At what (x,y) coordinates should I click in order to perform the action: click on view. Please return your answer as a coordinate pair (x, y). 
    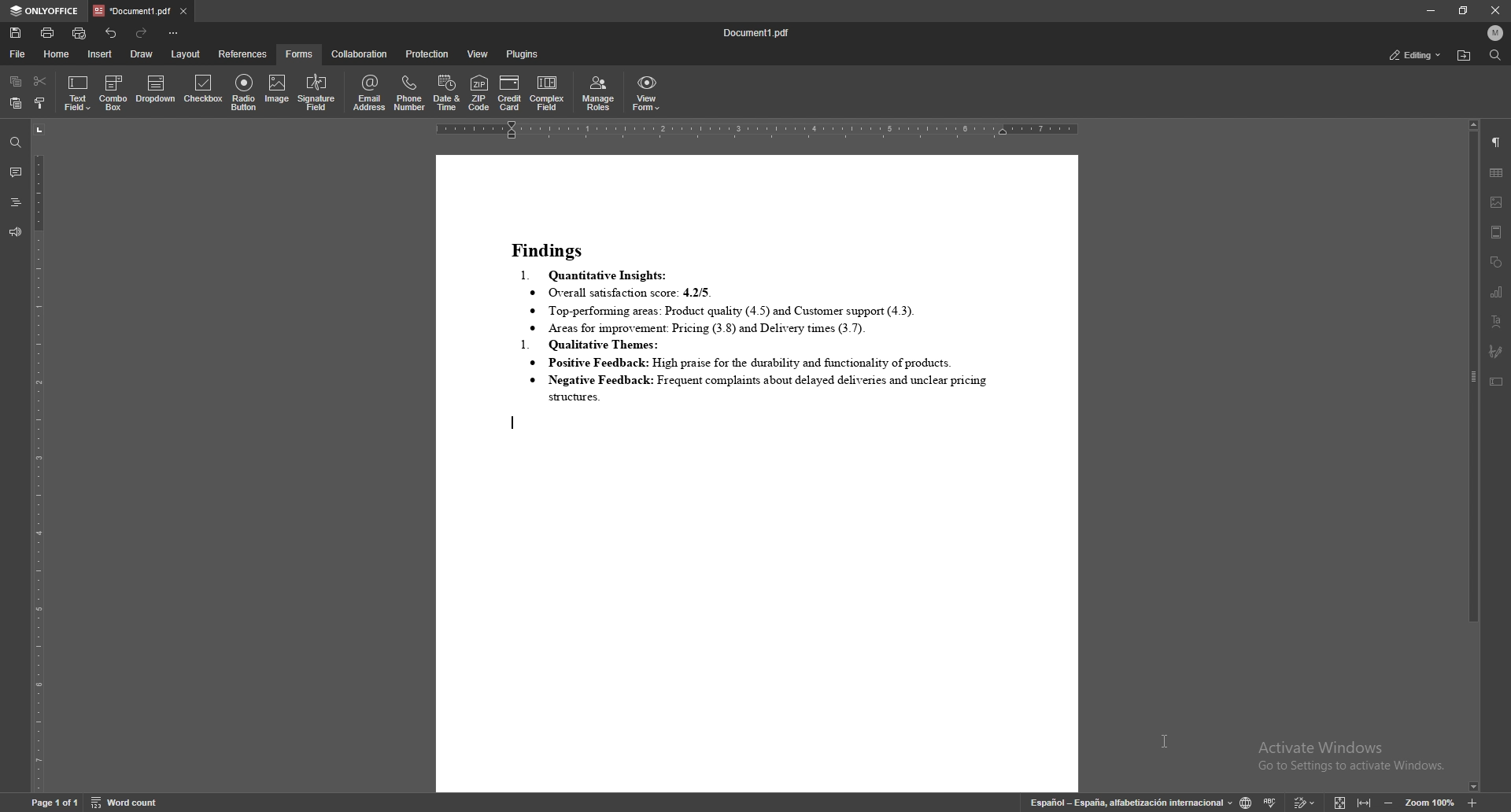
    Looking at the image, I should click on (478, 54).